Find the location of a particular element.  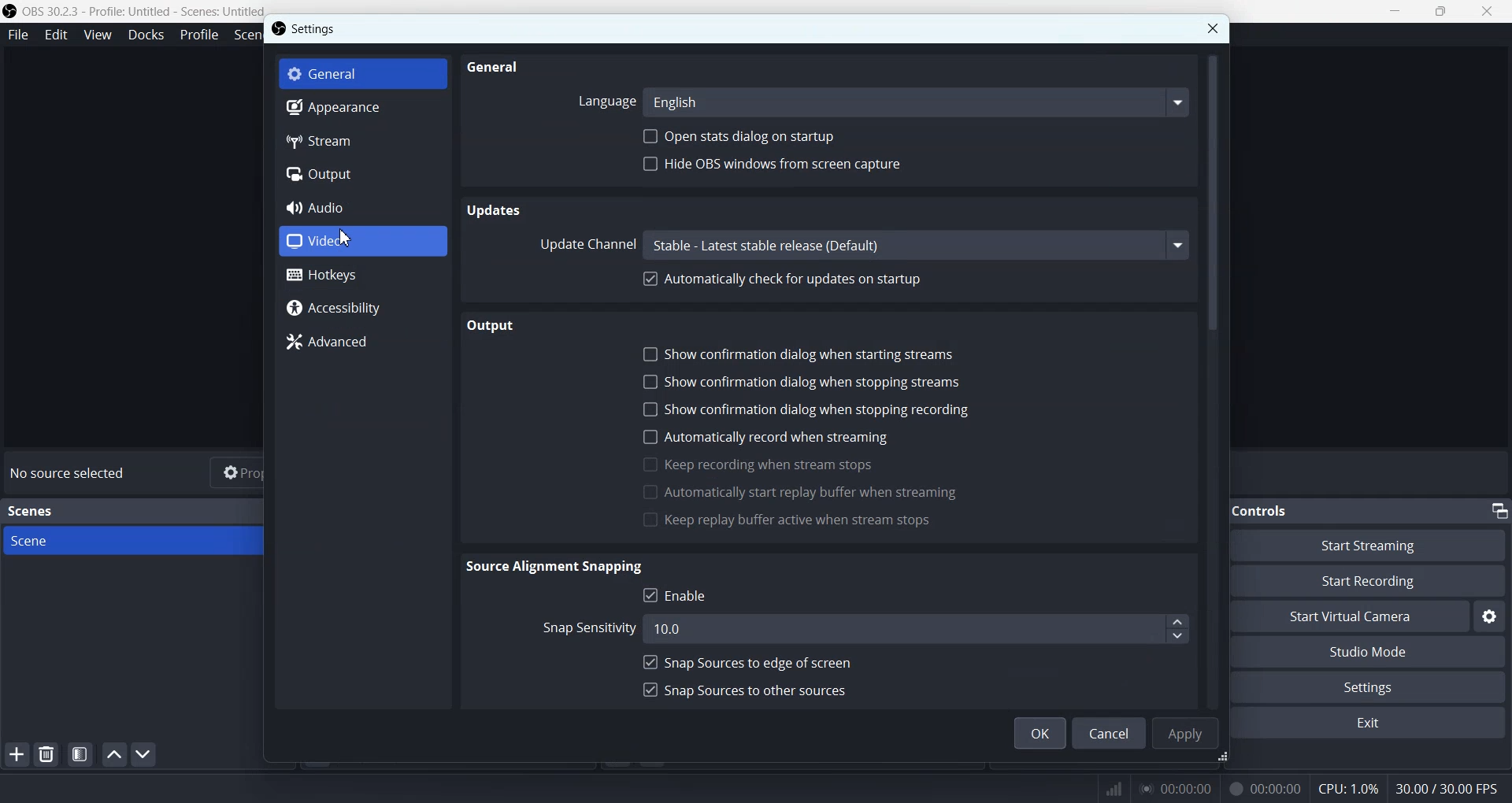

increase is located at coordinates (1177, 622).